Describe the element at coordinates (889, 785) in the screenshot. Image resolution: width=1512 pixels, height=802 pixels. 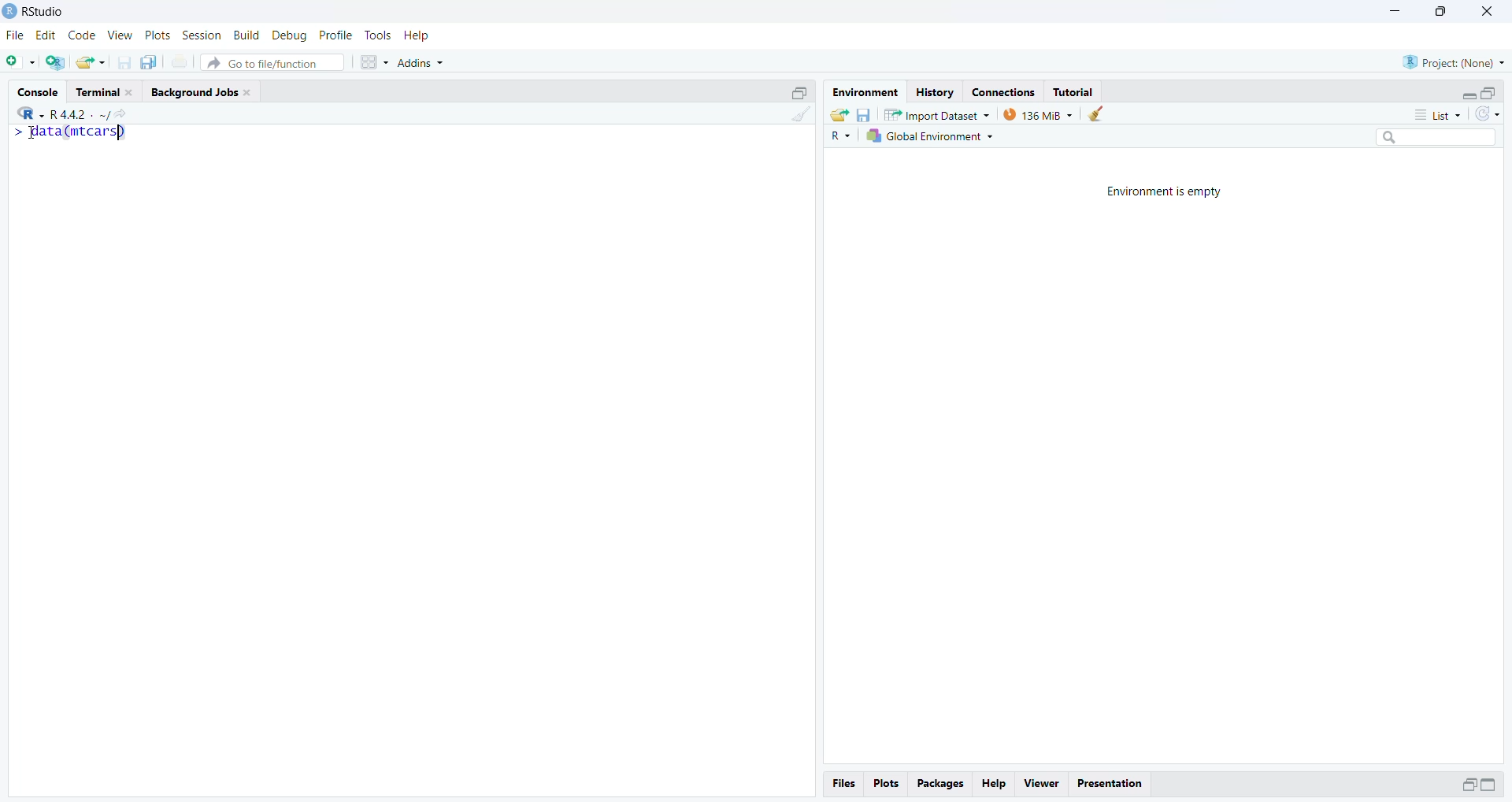
I see `Plots` at that location.